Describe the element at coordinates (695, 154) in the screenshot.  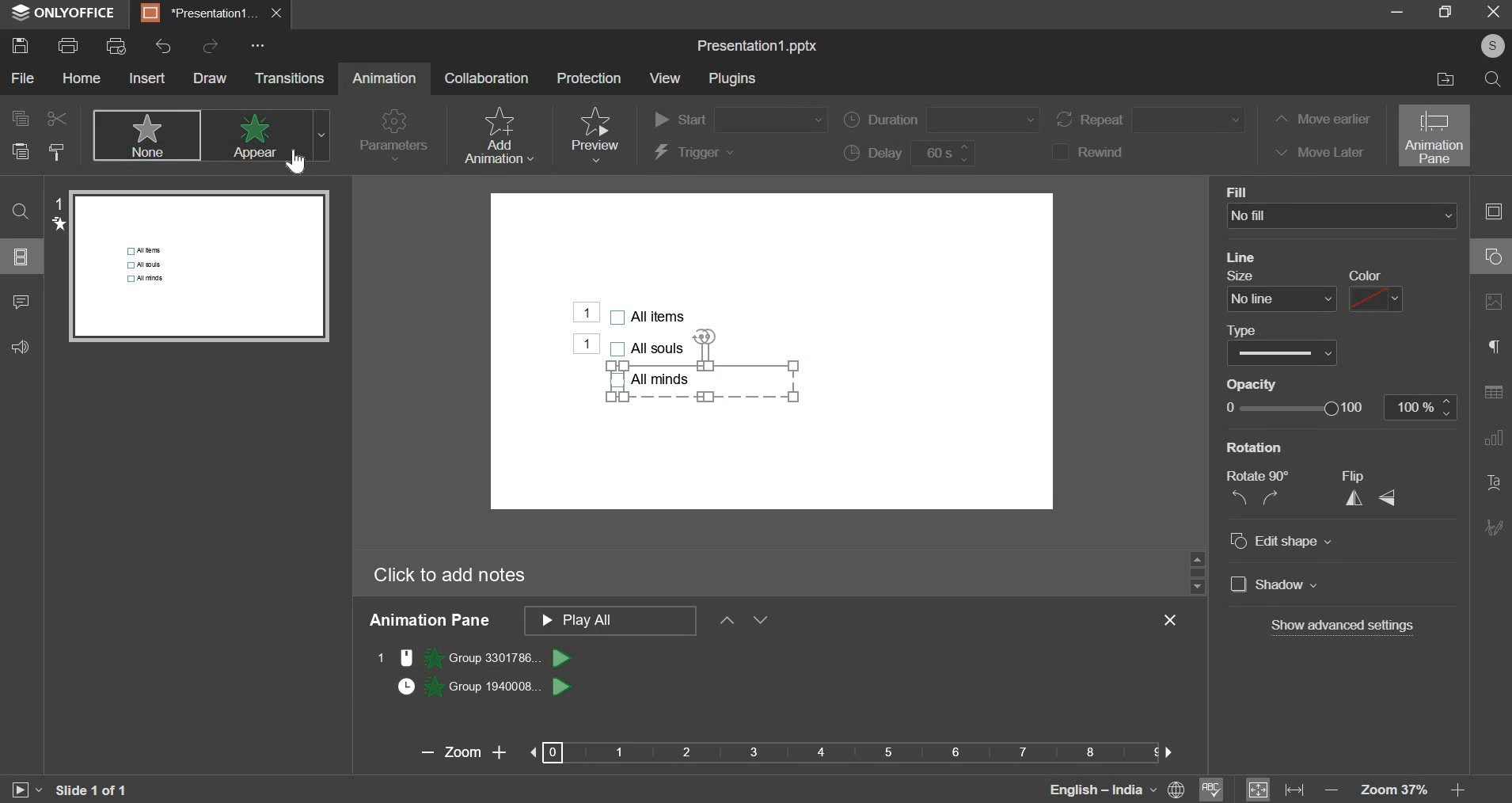
I see `trigger` at that location.